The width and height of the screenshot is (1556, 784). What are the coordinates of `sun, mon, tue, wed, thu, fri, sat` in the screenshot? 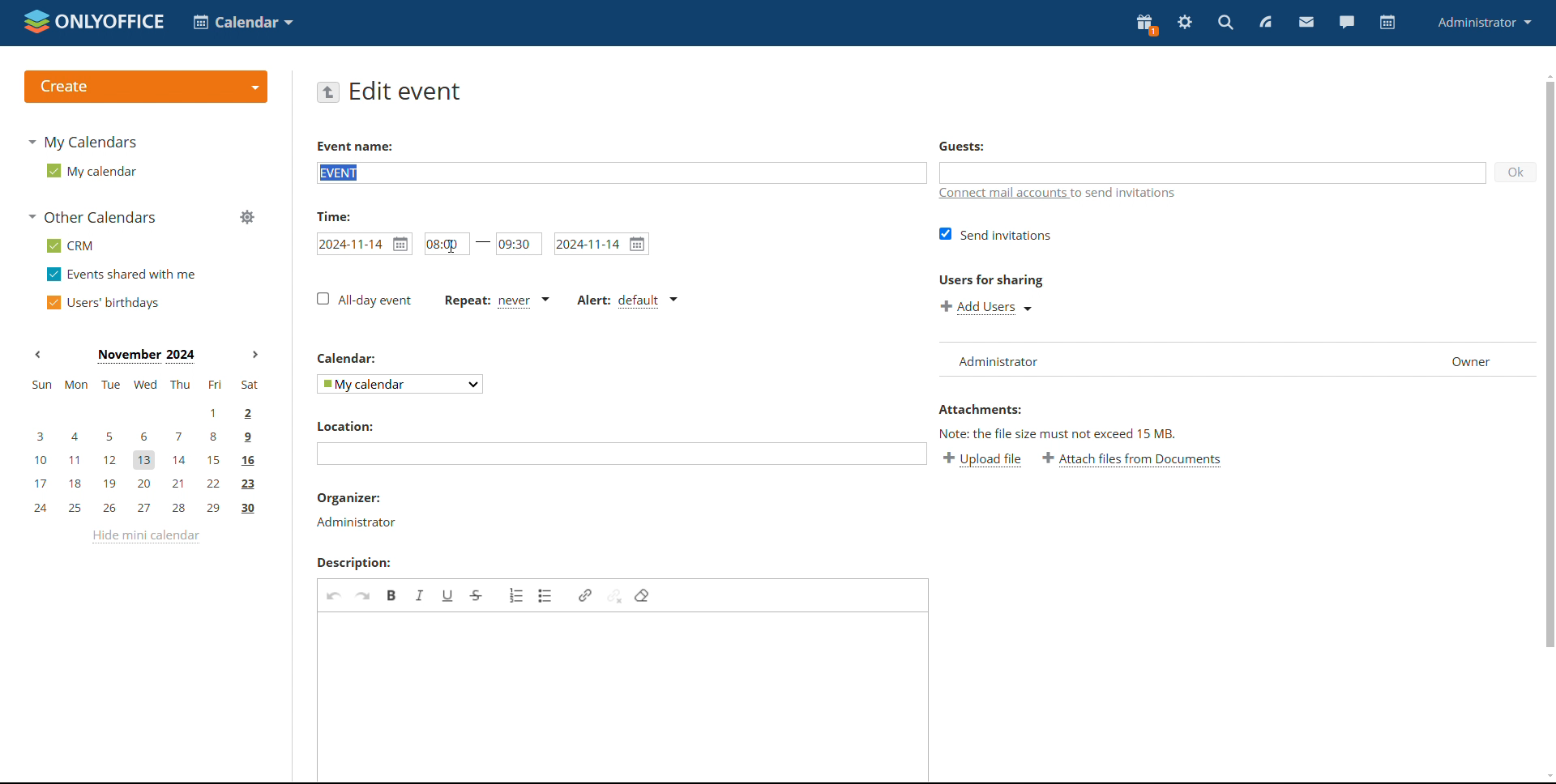 It's located at (143, 385).